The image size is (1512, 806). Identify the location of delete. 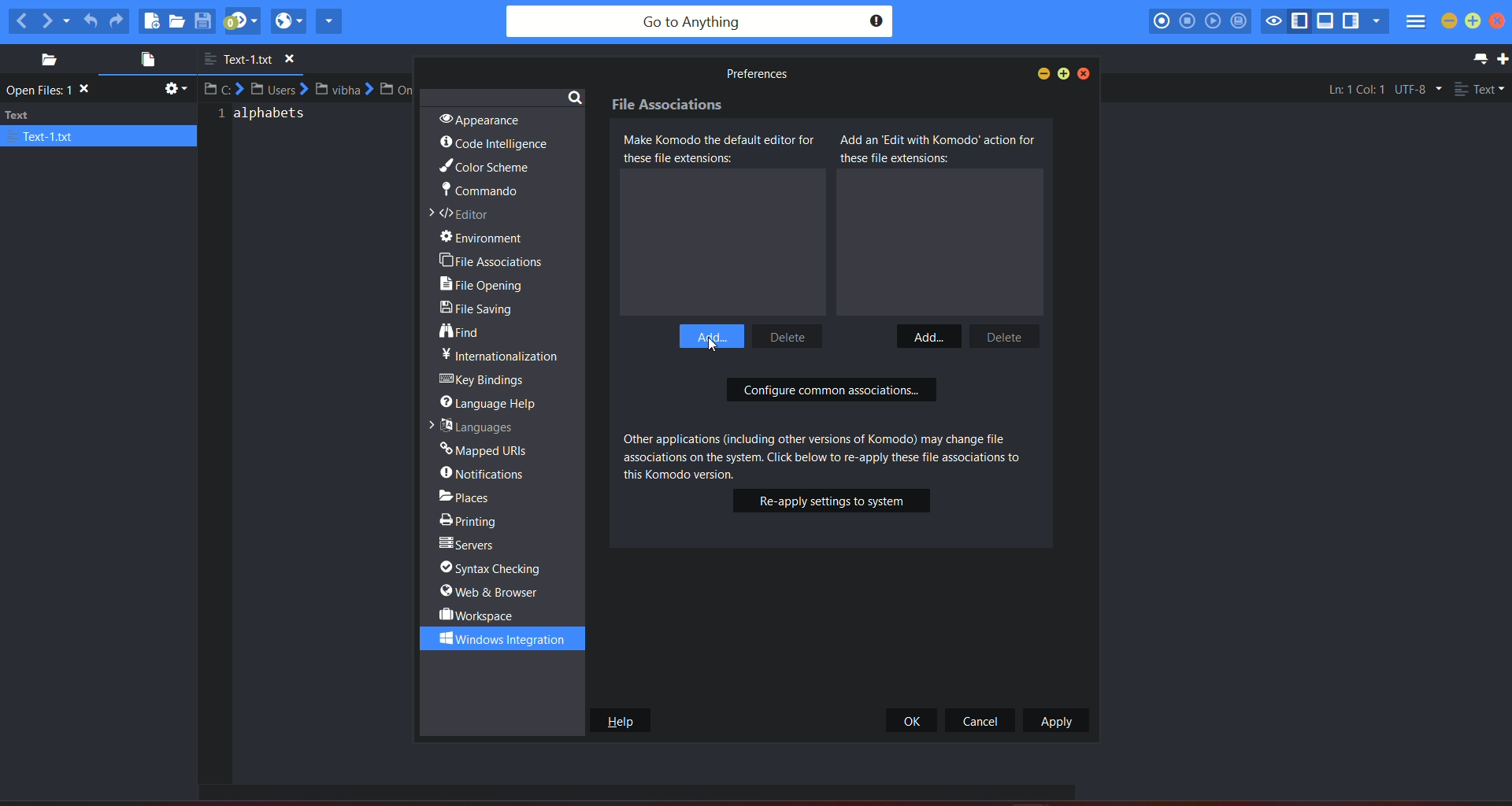
(792, 335).